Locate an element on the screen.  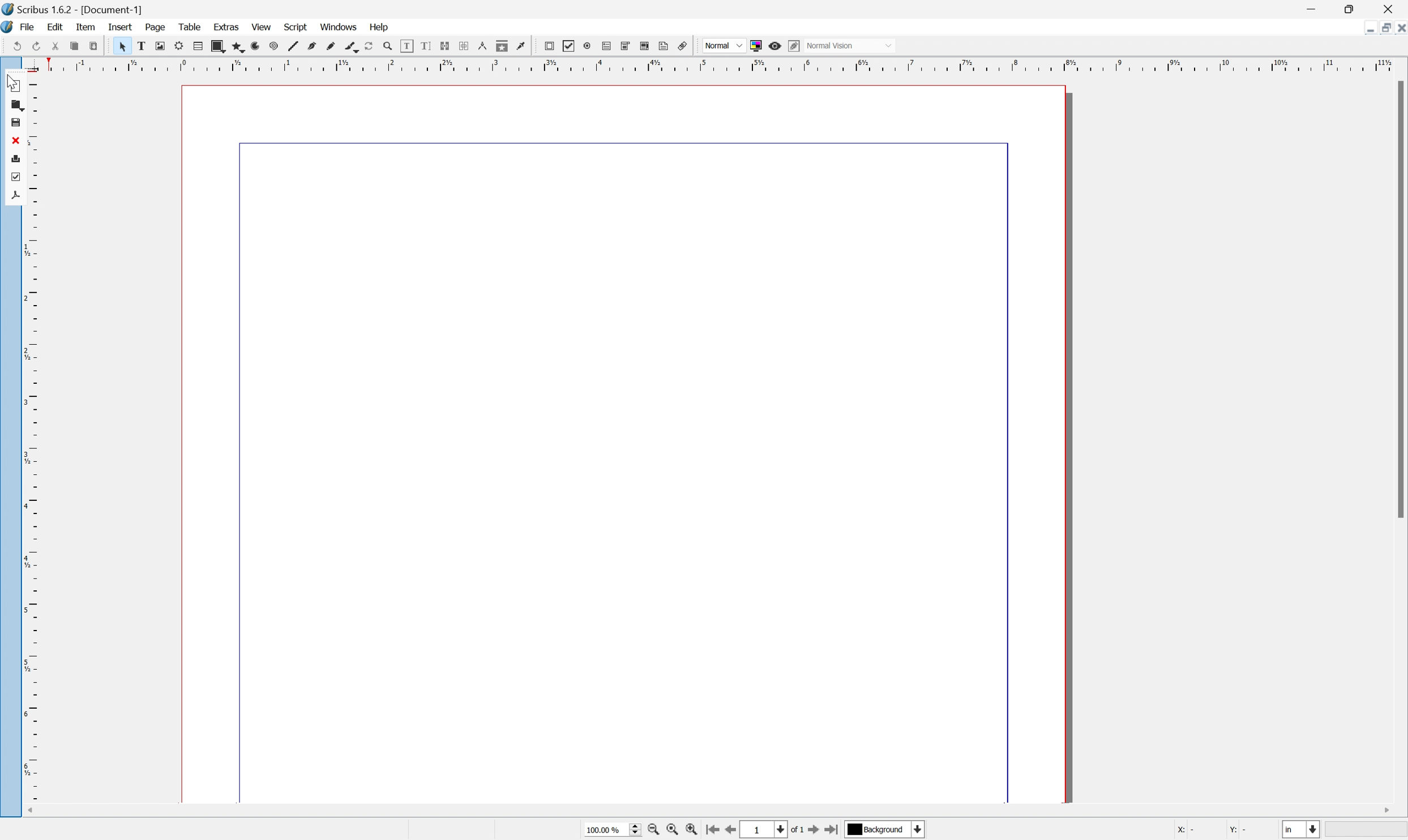
close is located at coordinates (1392, 8).